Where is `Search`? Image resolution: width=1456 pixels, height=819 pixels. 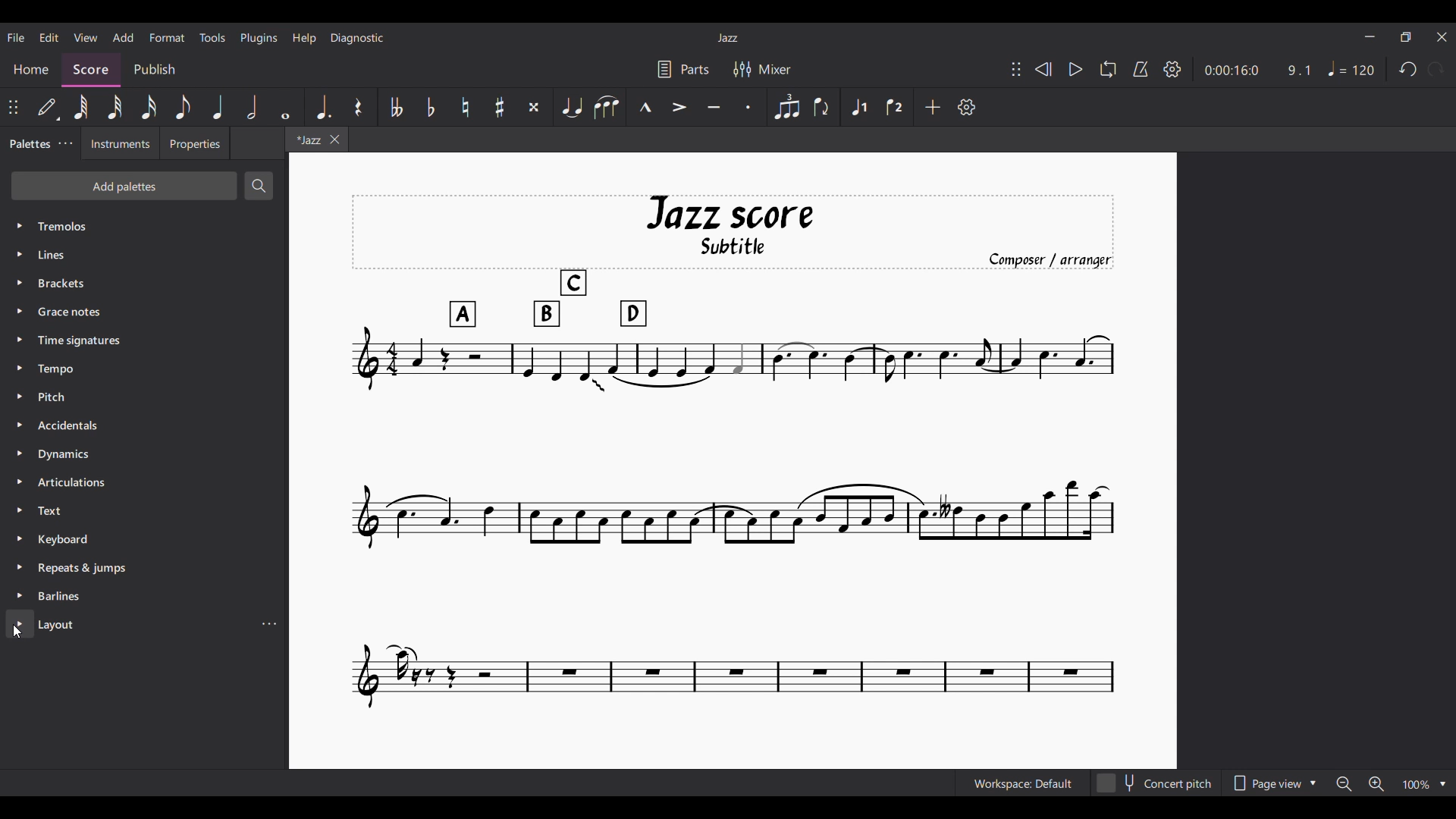
Search is located at coordinates (259, 186).